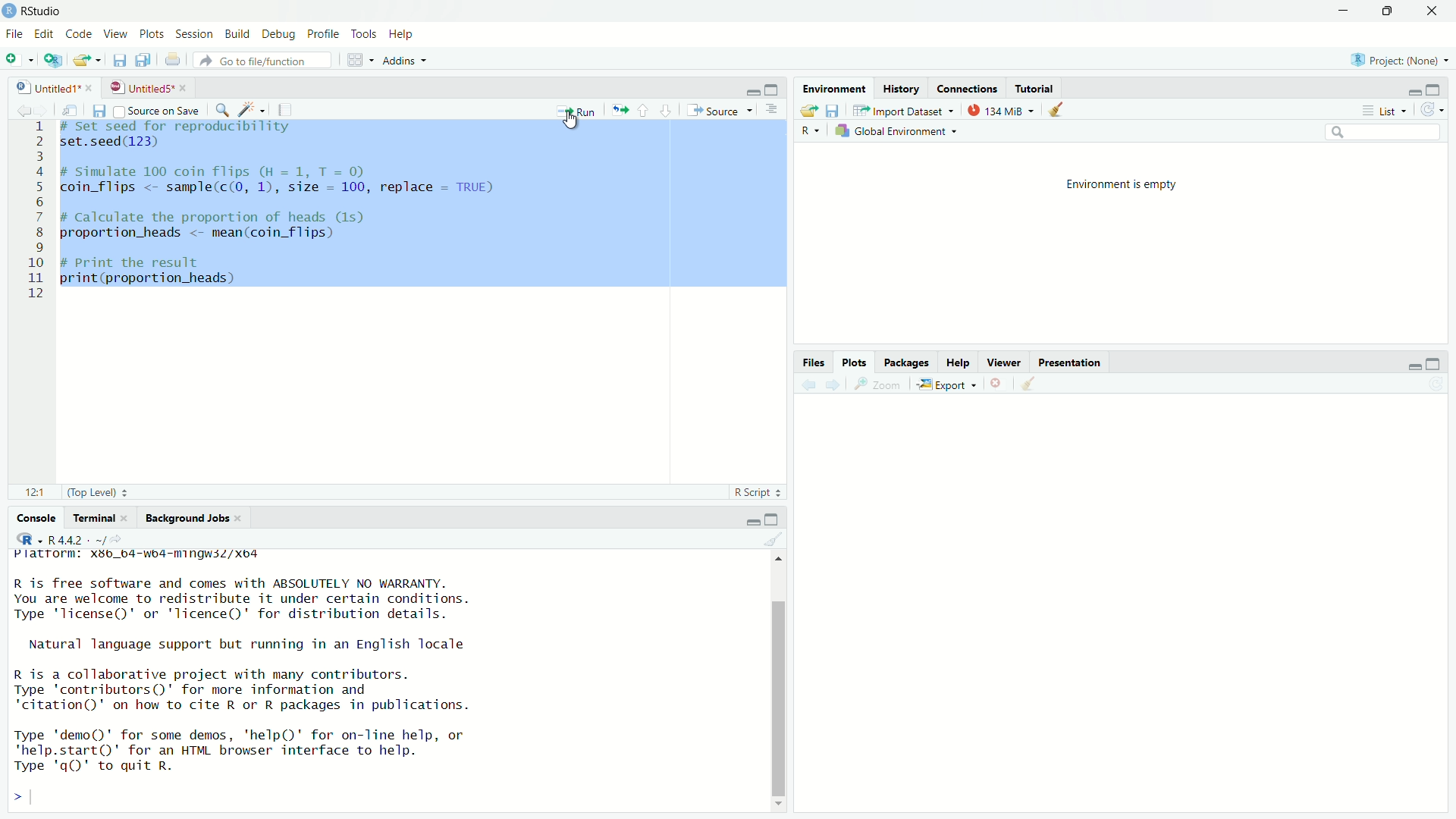 This screenshot has height=819, width=1456. I want to click on proportion_heads <- mean(coin_t1ips), so click(214, 236).